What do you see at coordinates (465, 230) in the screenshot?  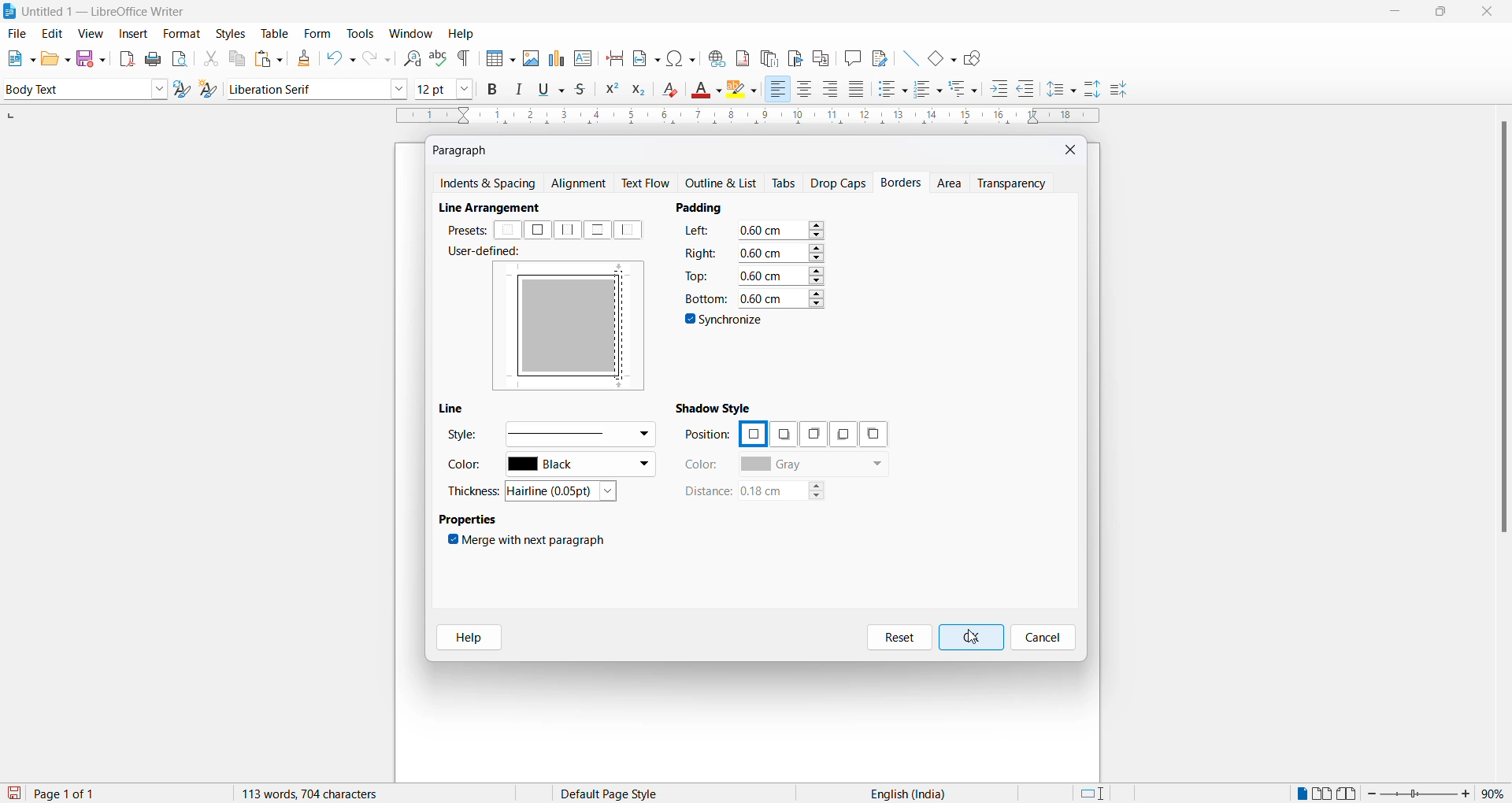 I see `presets` at bounding box center [465, 230].